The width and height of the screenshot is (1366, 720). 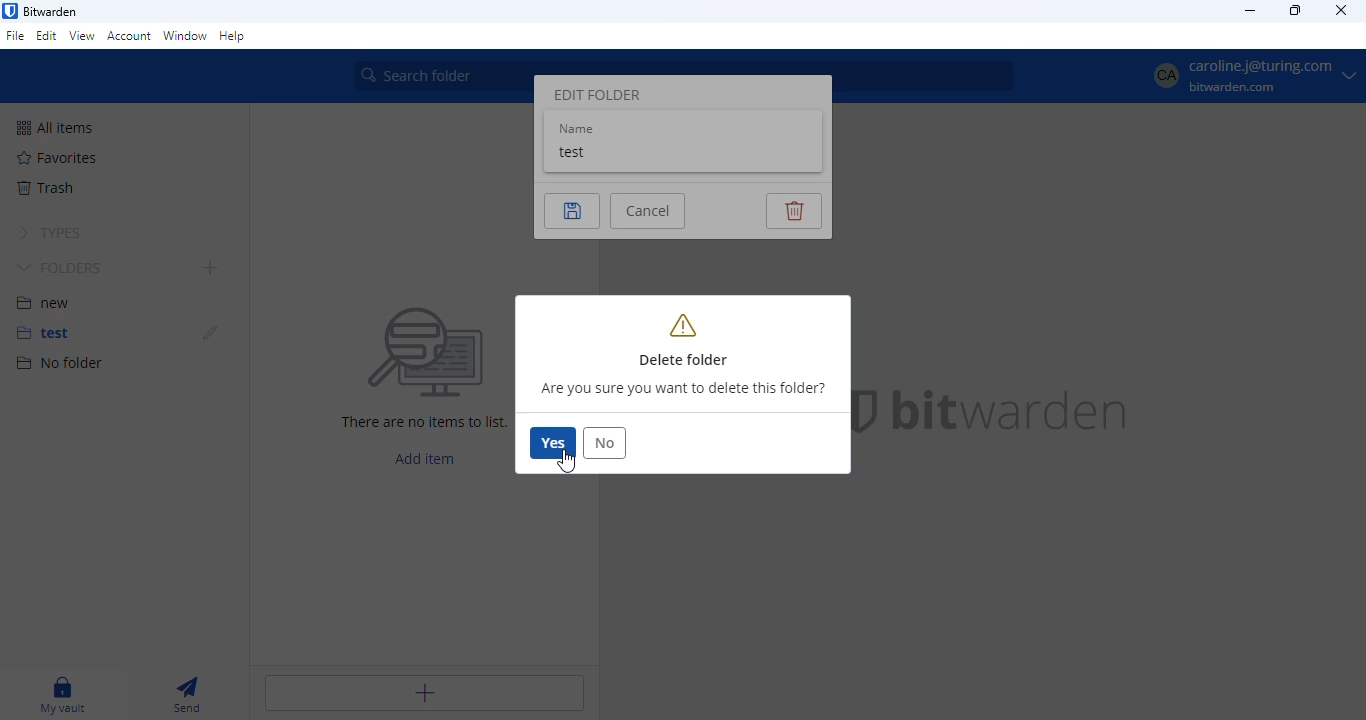 What do you see at coordinates (61, 268) in the screenshot?
I see `folders` at bounding box center [61, 268].